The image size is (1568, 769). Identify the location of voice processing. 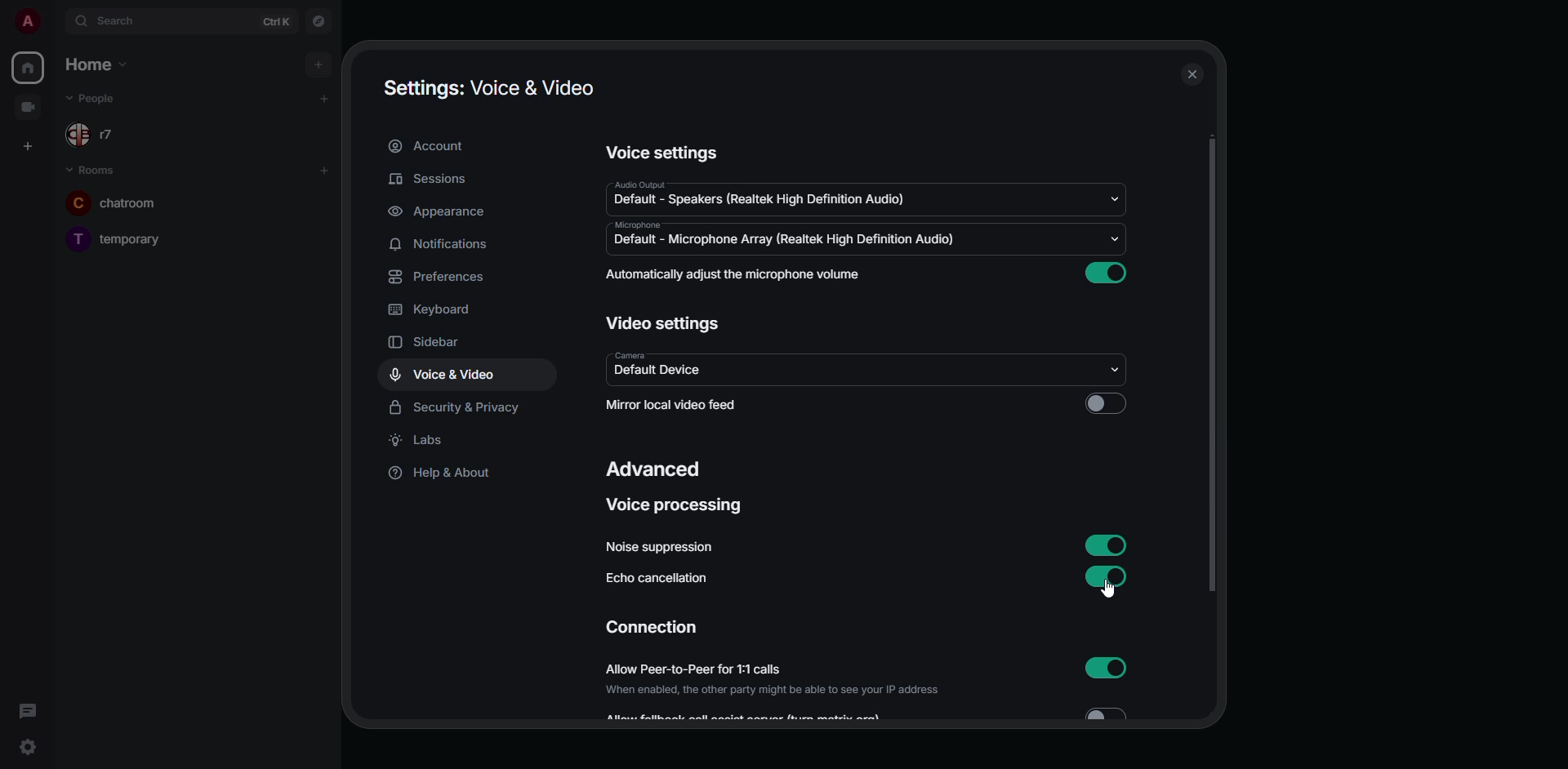
(675, 506).